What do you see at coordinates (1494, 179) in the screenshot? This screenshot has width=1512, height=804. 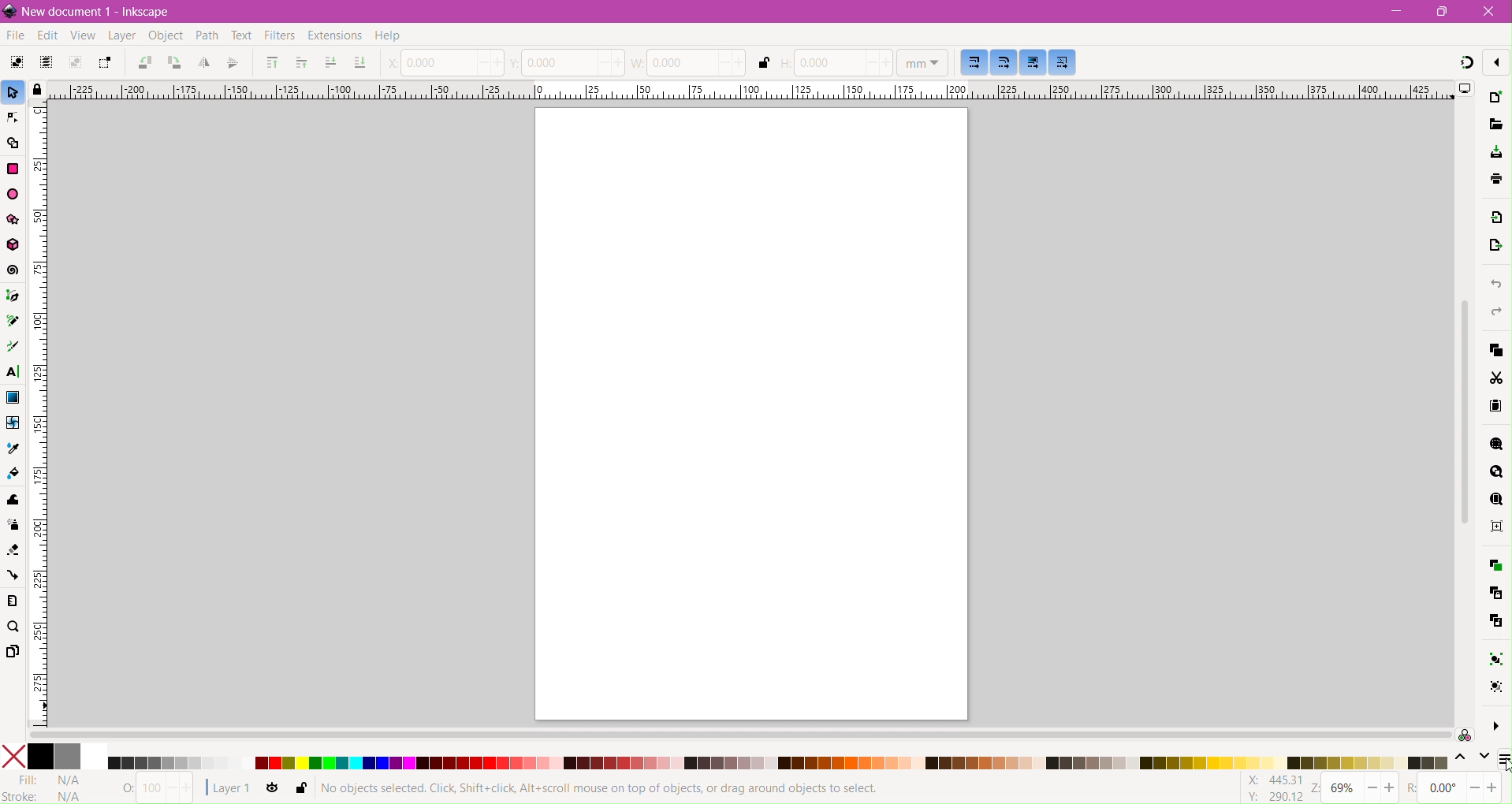 I see `Print` at bounding box center [1494, 179].